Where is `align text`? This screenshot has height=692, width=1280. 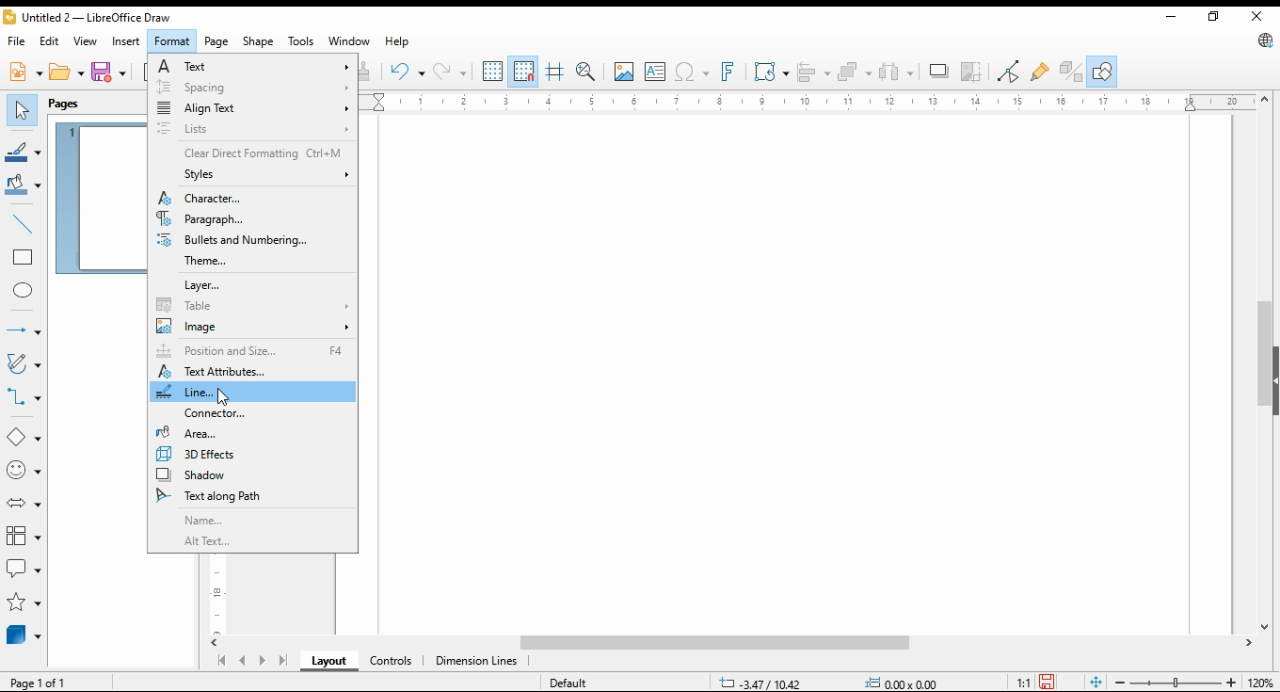 align text is located at coordinates (251, 108).